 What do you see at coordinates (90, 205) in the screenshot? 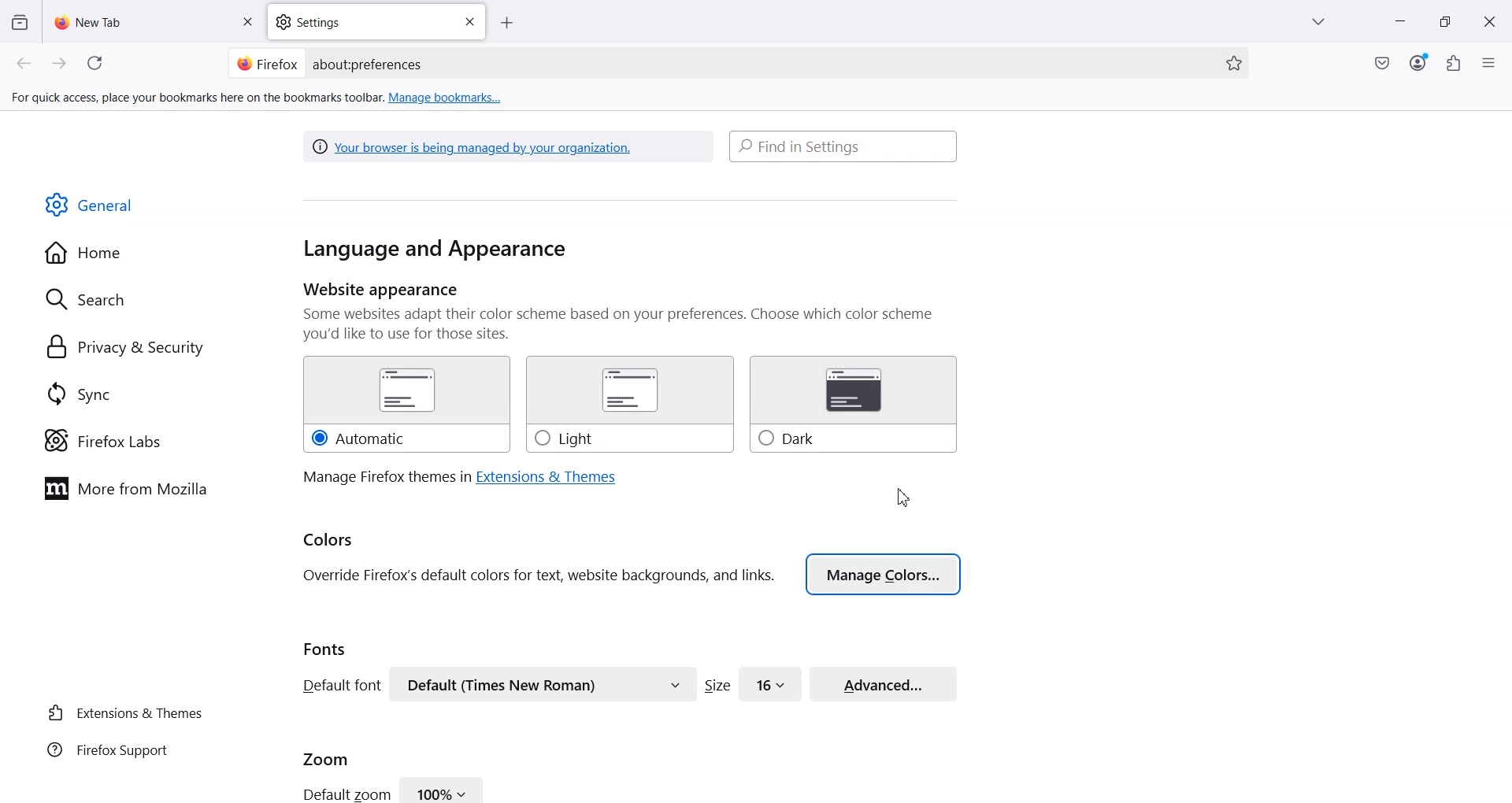
I see `fx] General` at bounding box center [90, 205].